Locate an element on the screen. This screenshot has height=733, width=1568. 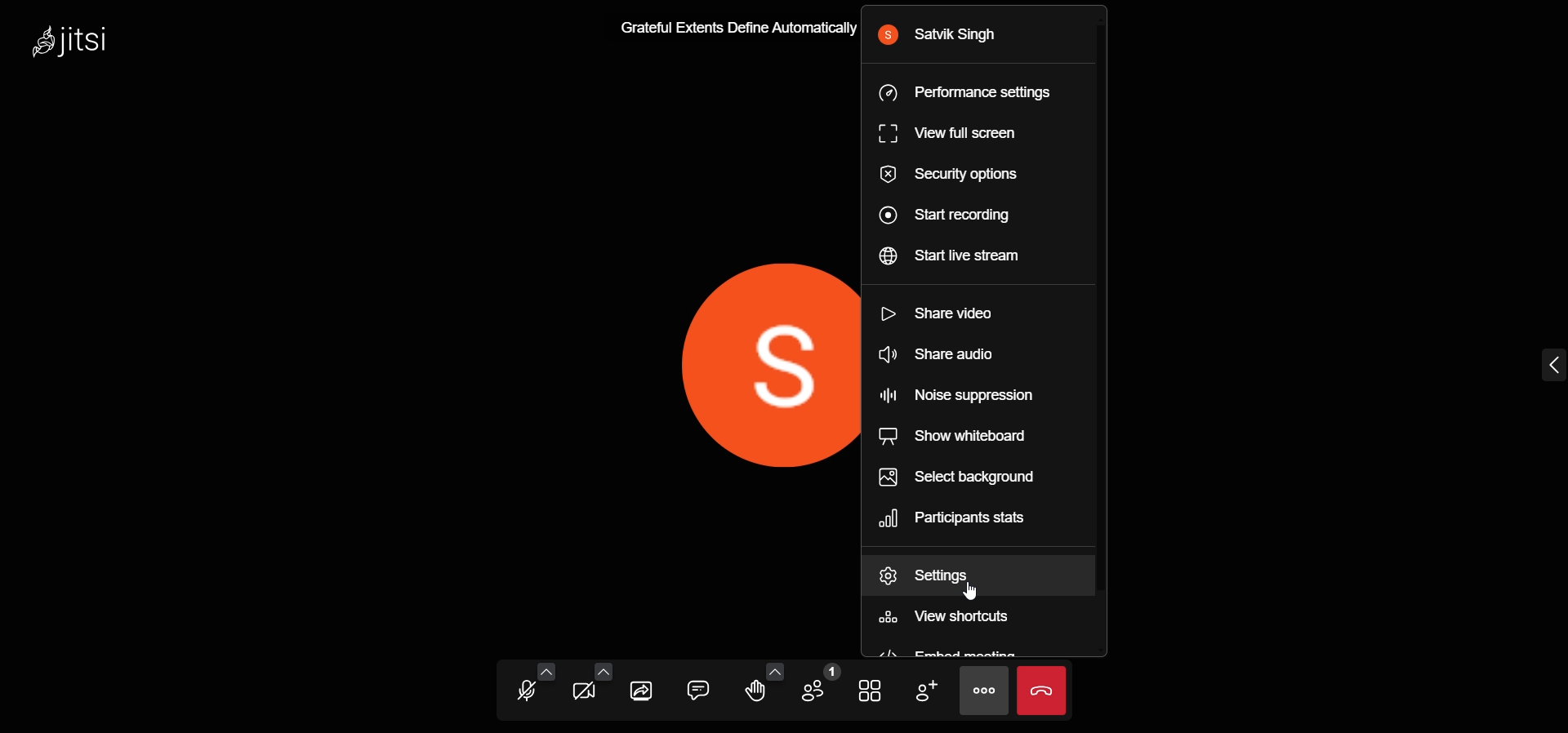
share audio is located at coordinates (932, 356).